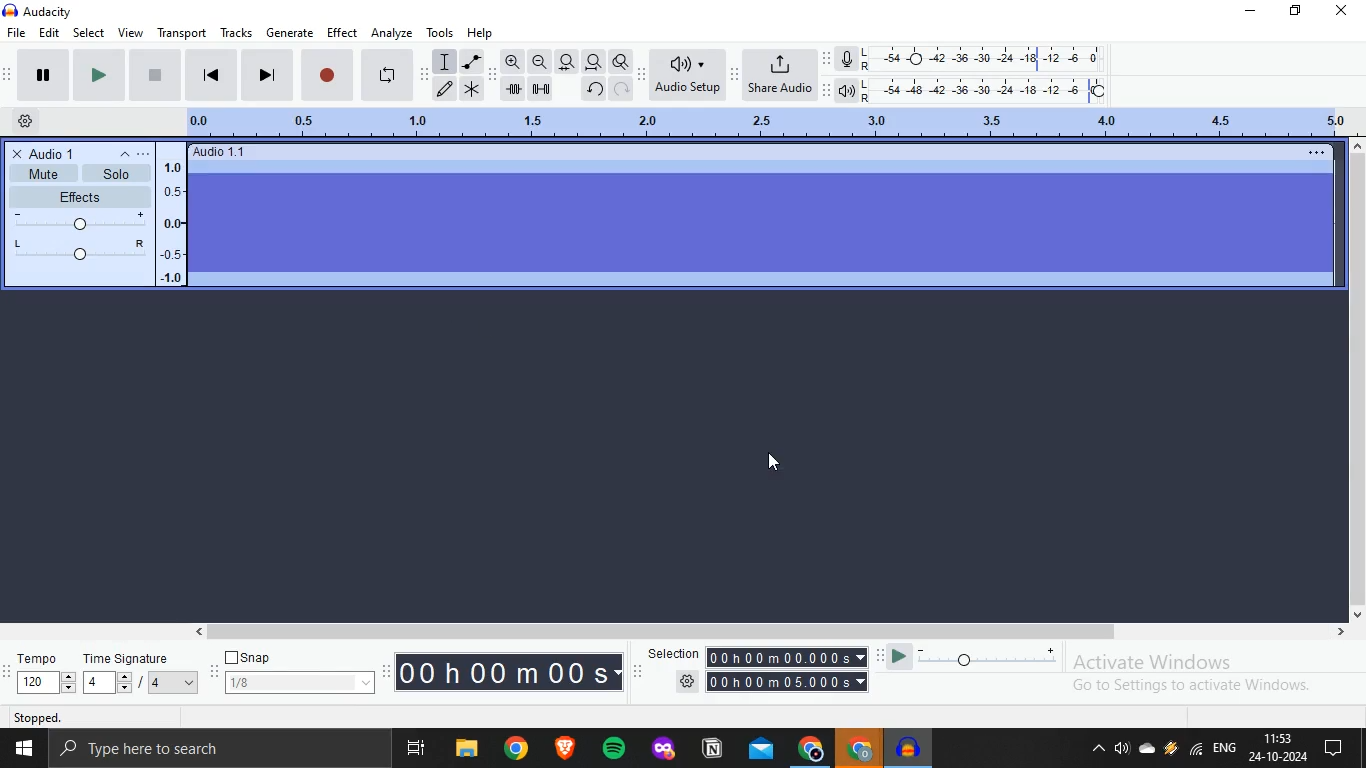 The height and width of the screenshot is (768, 1366). Describe the element at coordinates (148, 153) in the screenshot. I see `More options` at that location.